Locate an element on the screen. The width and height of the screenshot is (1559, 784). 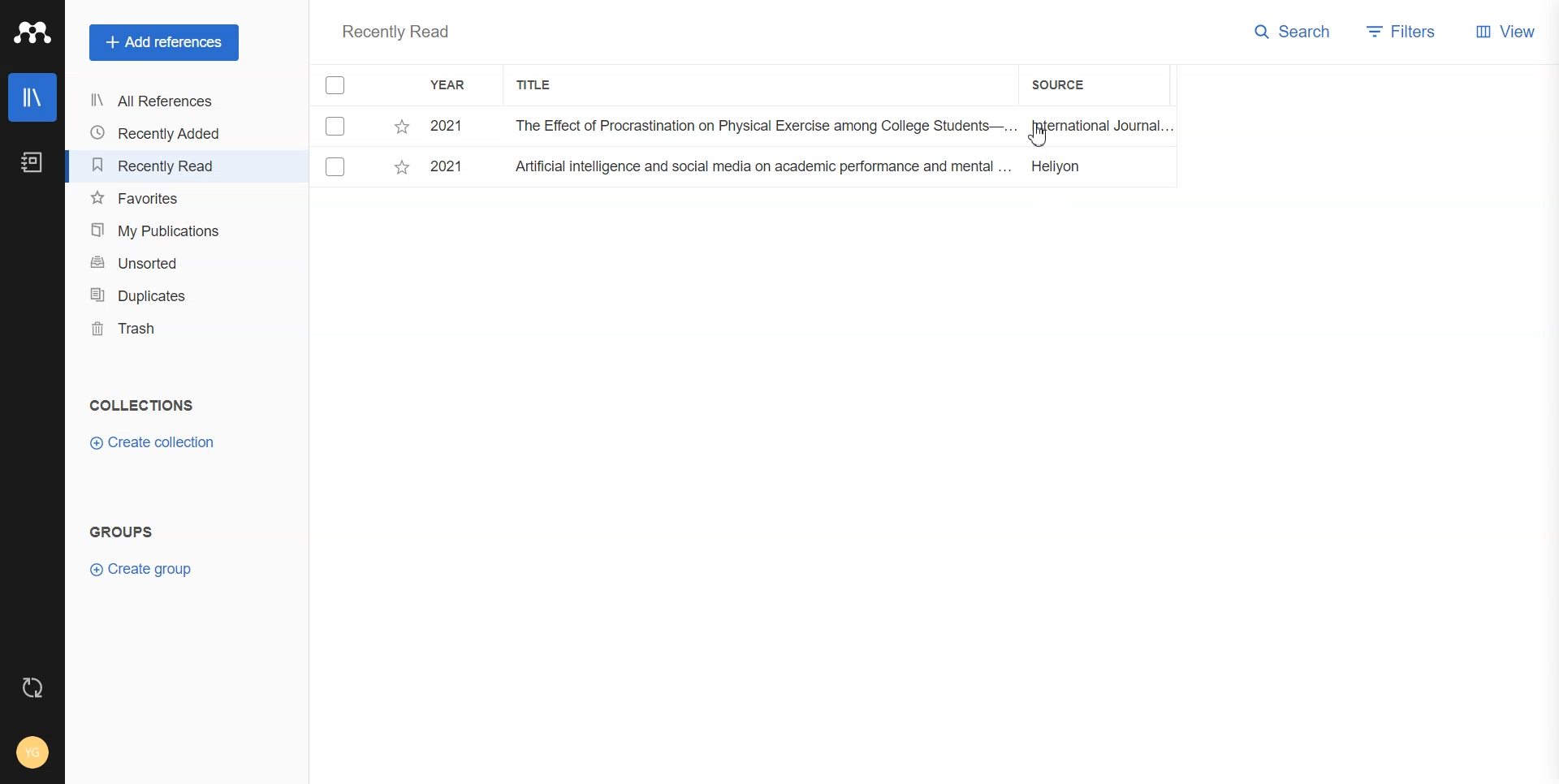
Auto sync is located at coordinates (30, 687).